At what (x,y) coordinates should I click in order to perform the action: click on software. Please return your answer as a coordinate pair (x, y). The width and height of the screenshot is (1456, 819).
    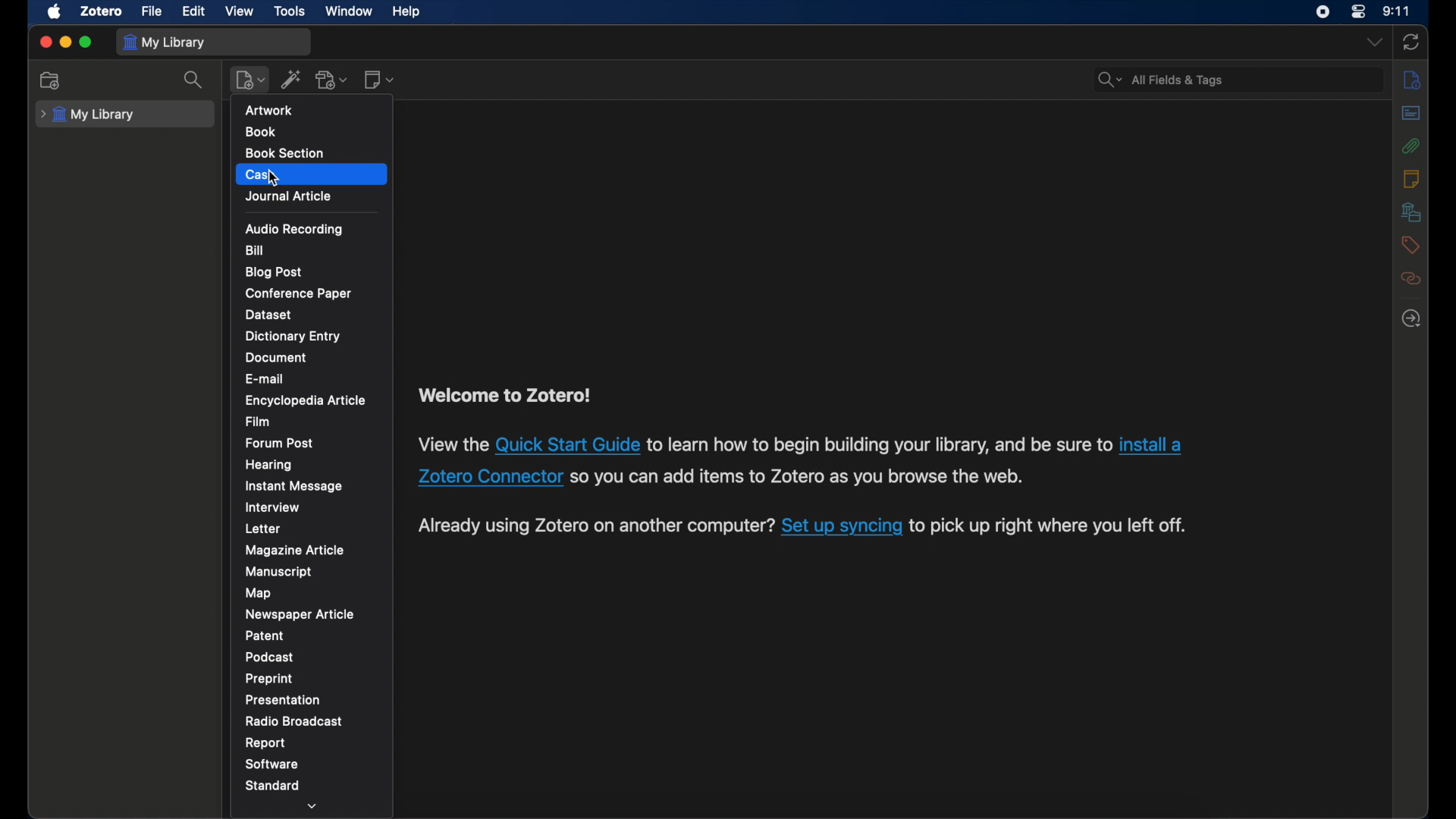
    Looking at the image, I should click on (273, 764).